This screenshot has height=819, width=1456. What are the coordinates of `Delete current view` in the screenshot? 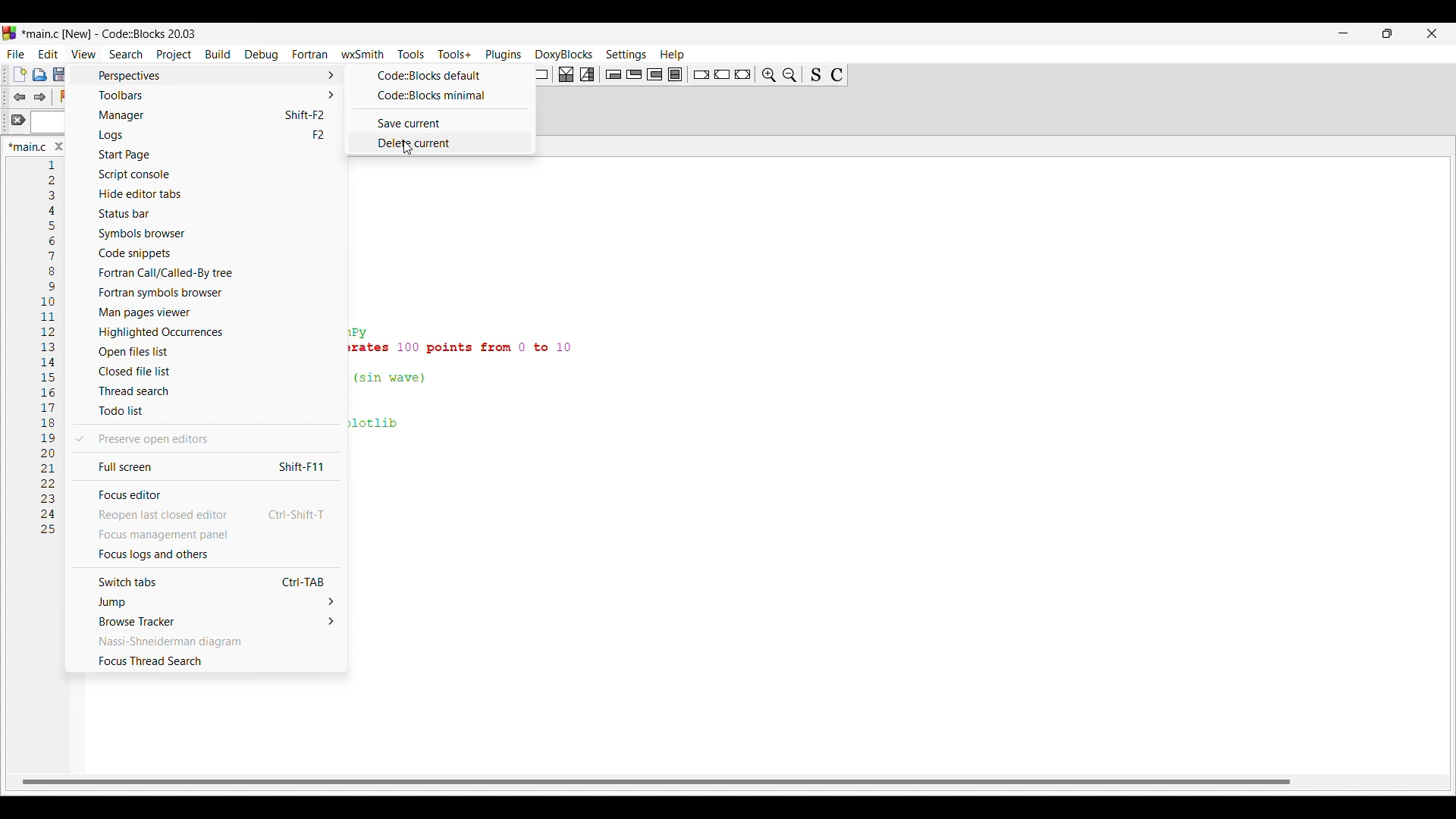 It's located at (436, 143).